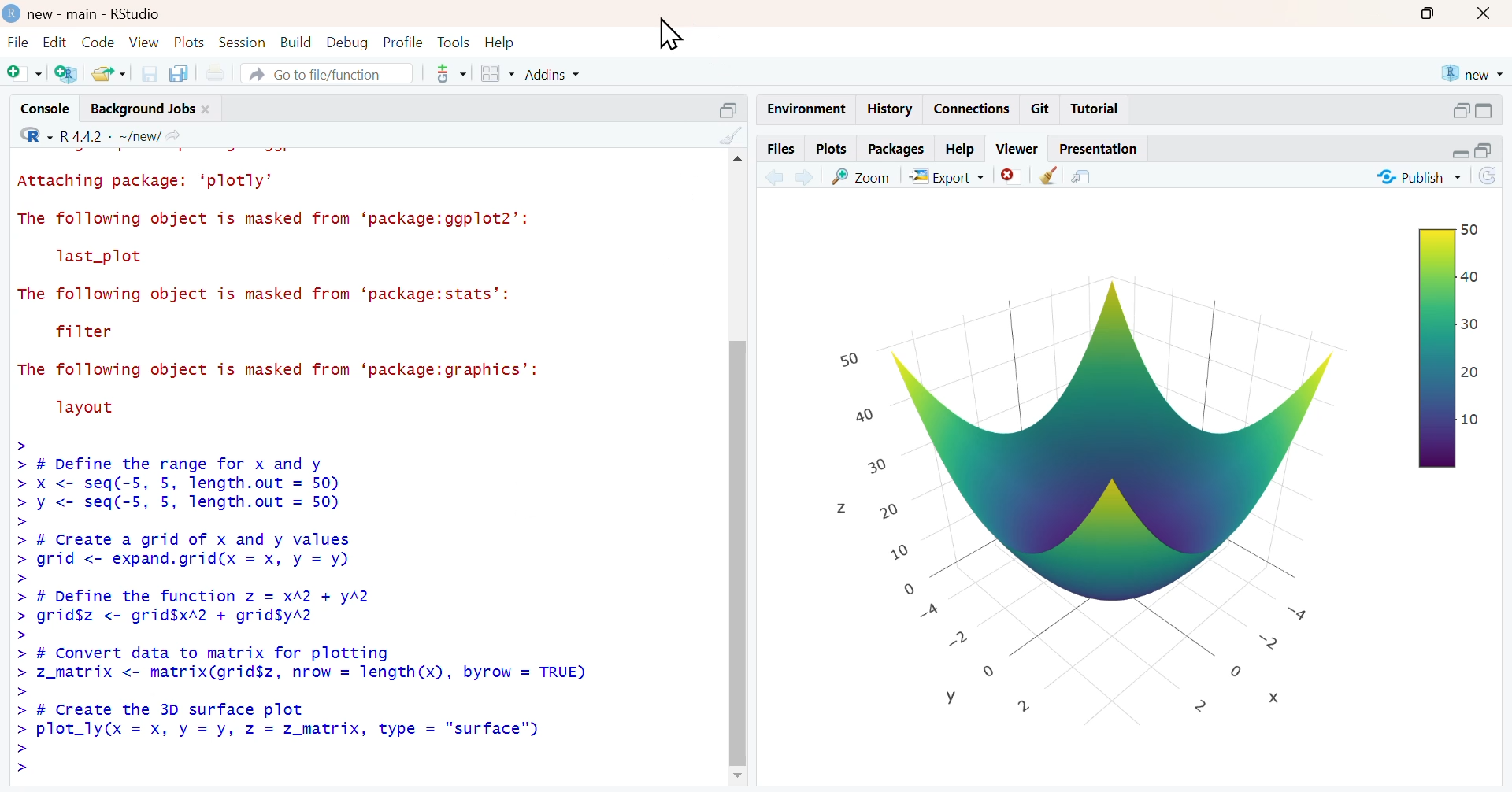 The width and height of the screenshot is (1512, 792). I want to click on maximize, so click(726, 109).